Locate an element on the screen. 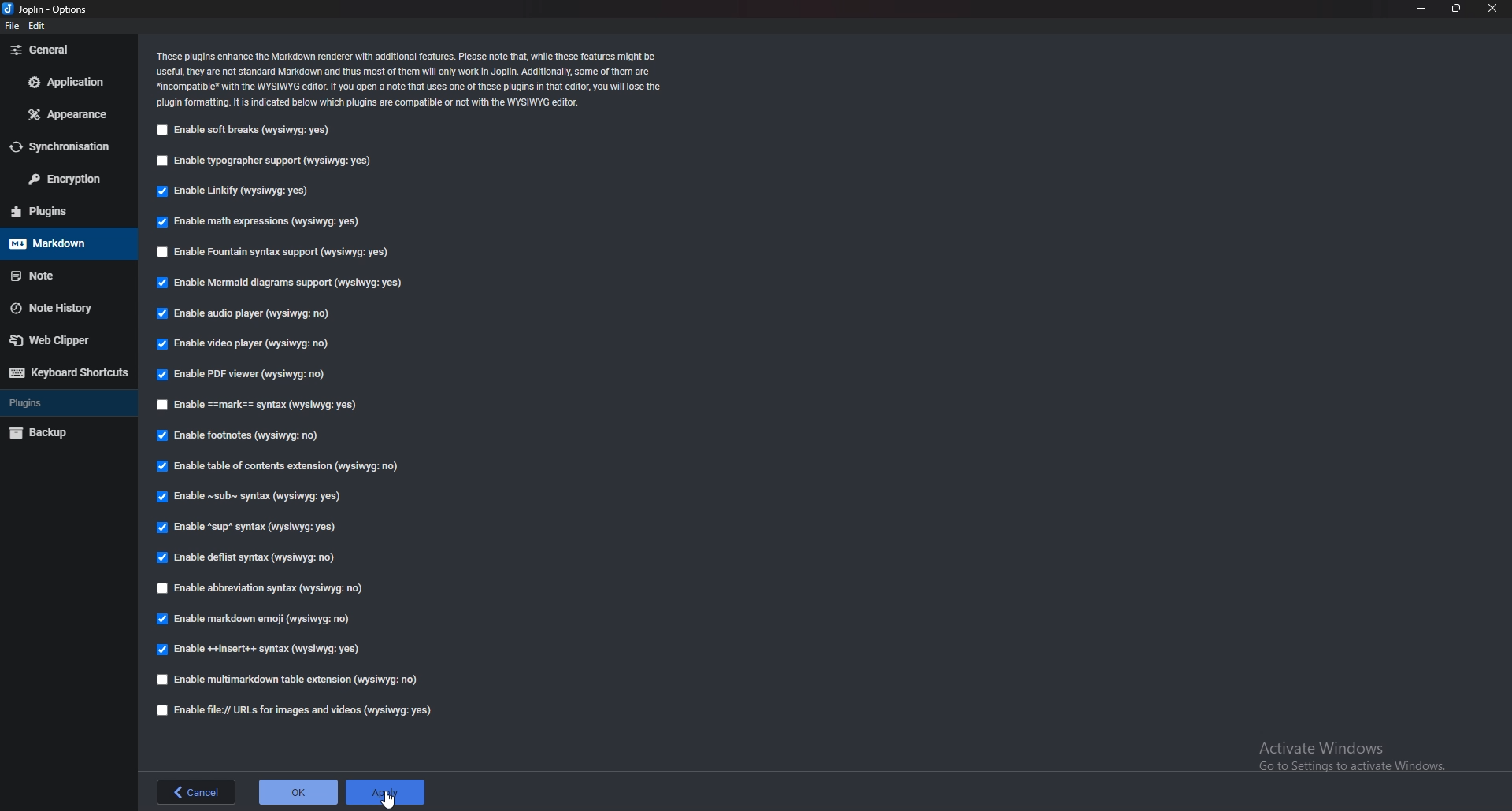 This screenshot has height=811, width=1512. Plugins is located at coordinates (66, 403).